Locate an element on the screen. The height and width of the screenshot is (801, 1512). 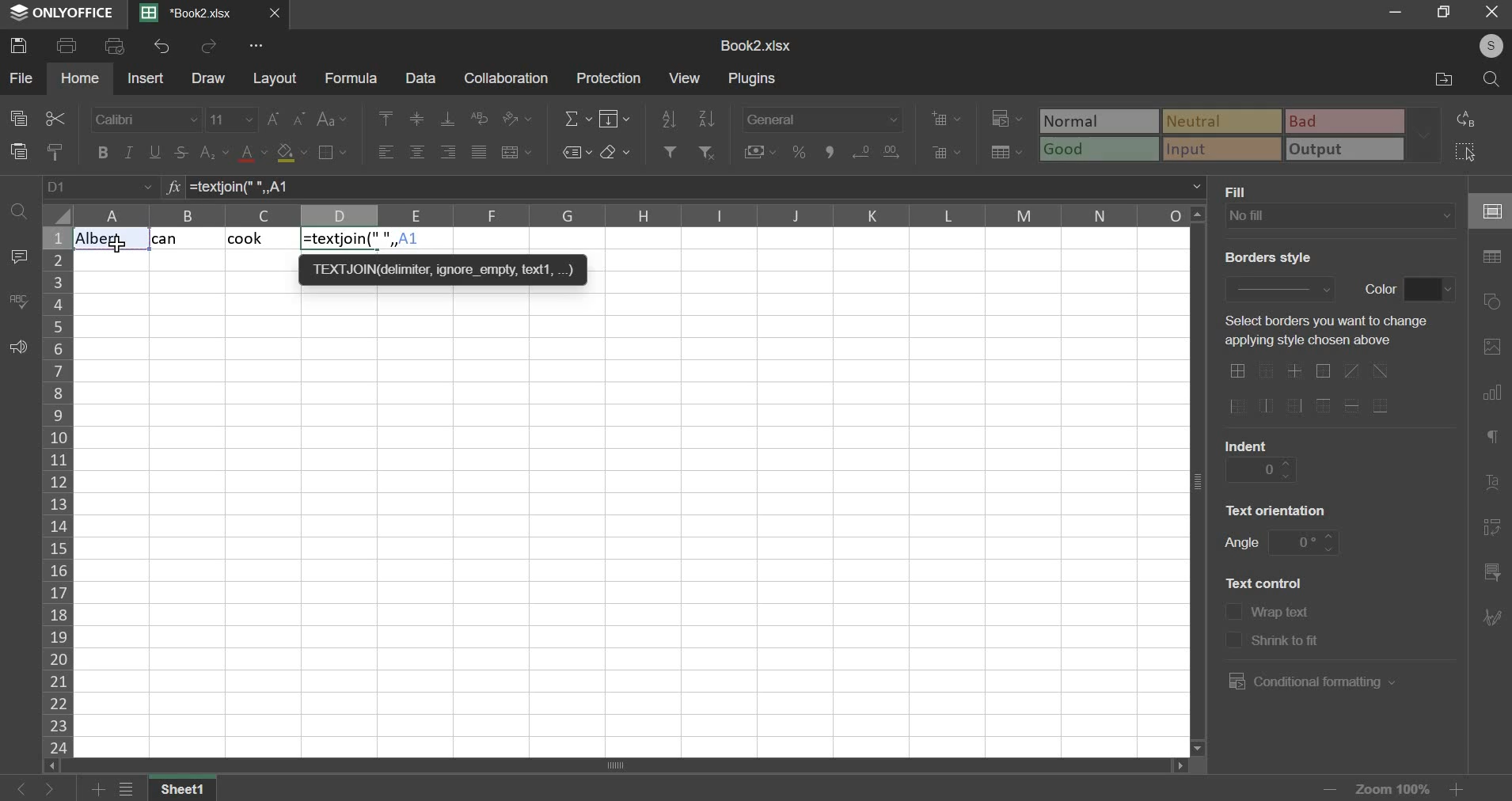
text is located at coordinates (1266, 257).